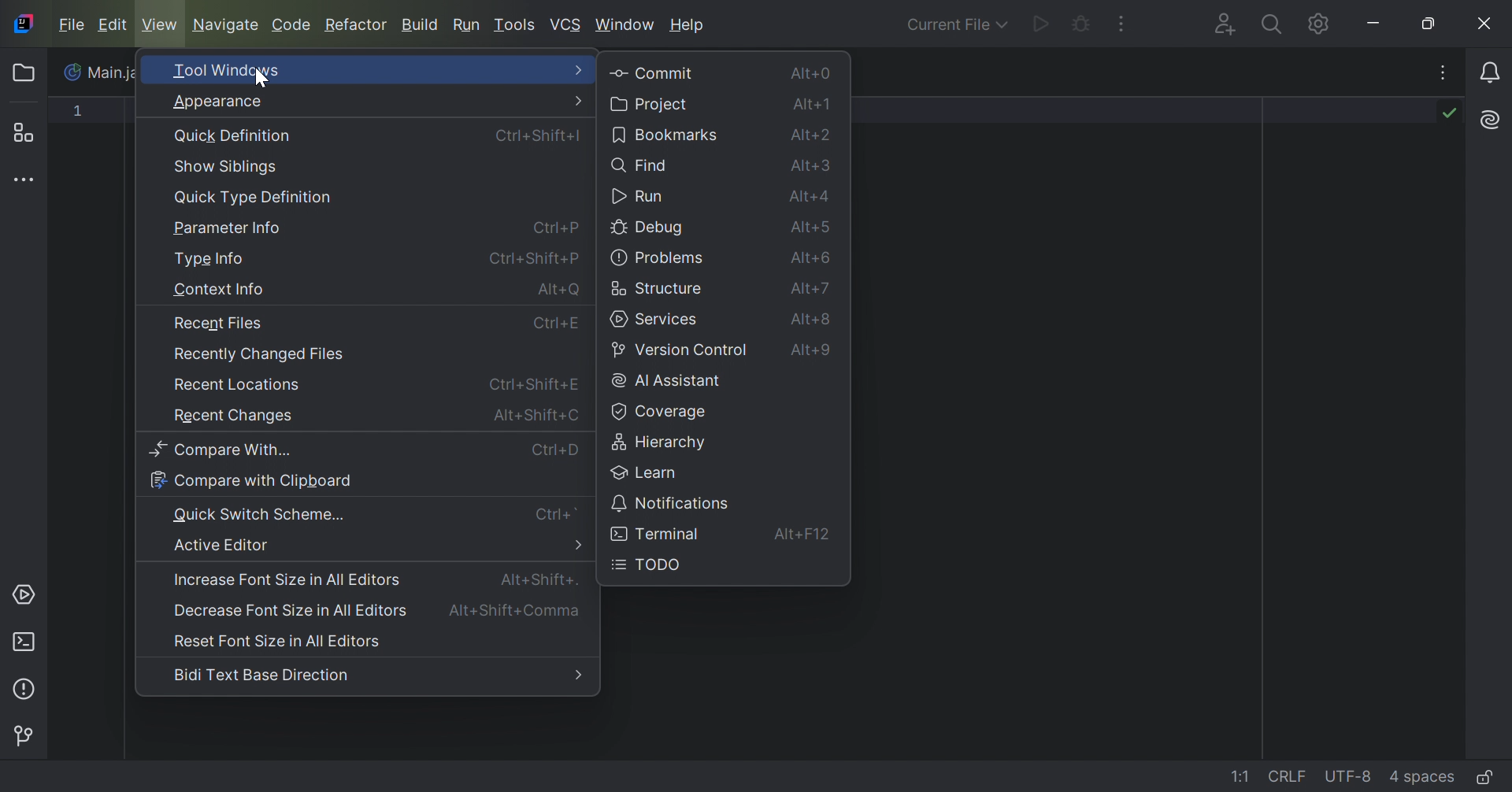 This screenshot has width=1512, height=792. I want to click on More tool windows, so click(28, 181).